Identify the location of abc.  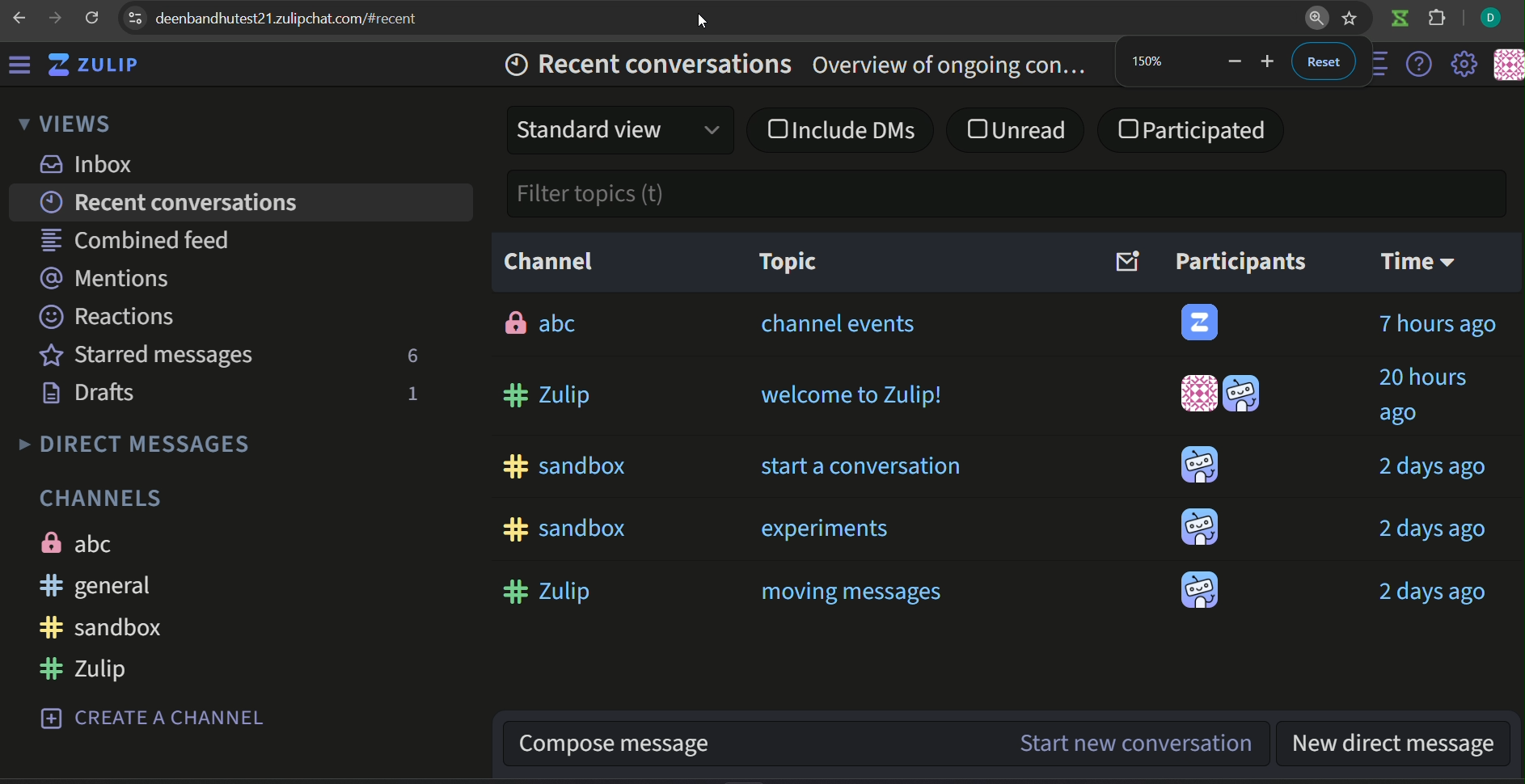
(96, 542).